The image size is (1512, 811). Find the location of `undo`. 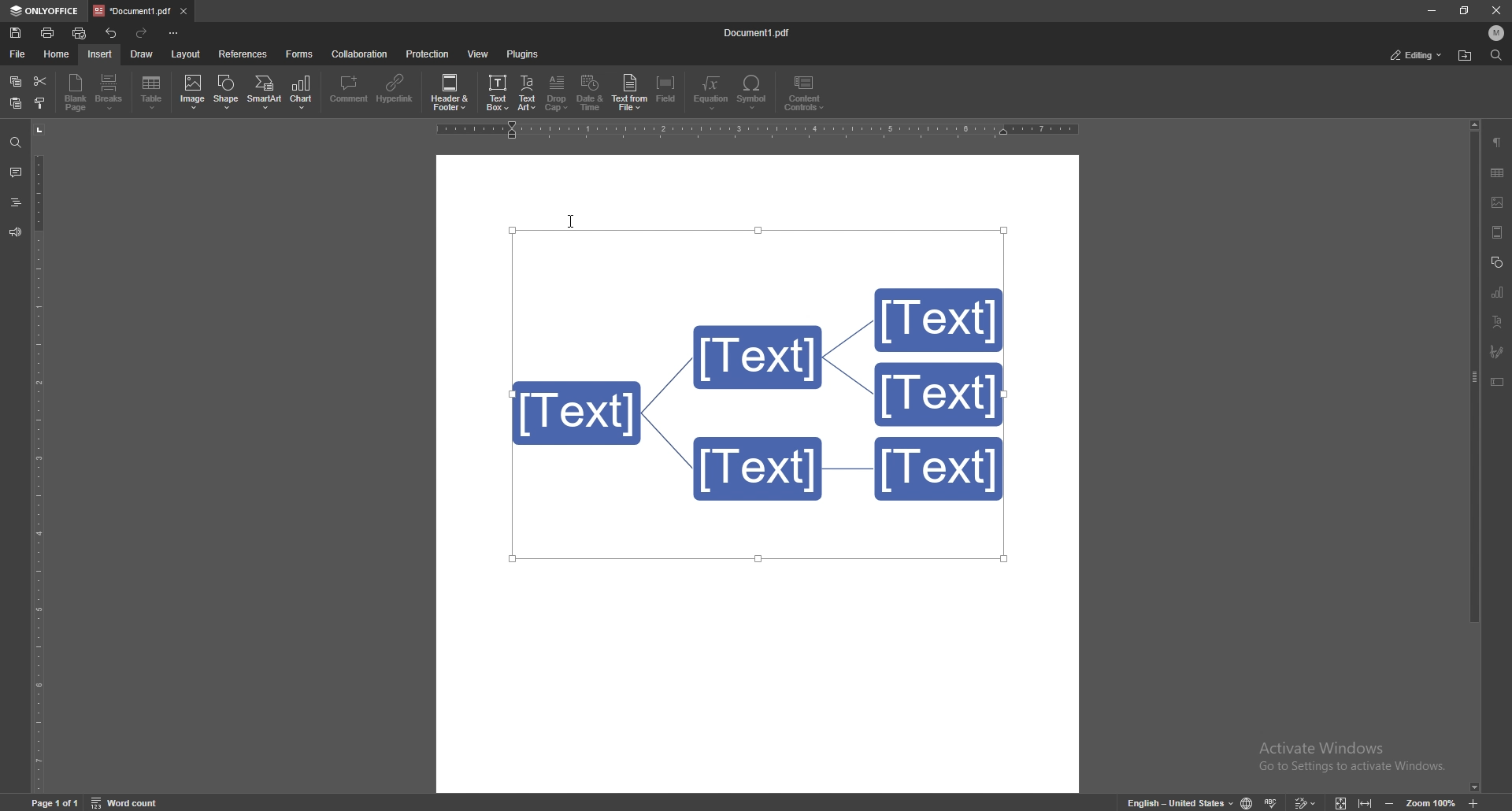

undo is located at coordinates (112, 33).